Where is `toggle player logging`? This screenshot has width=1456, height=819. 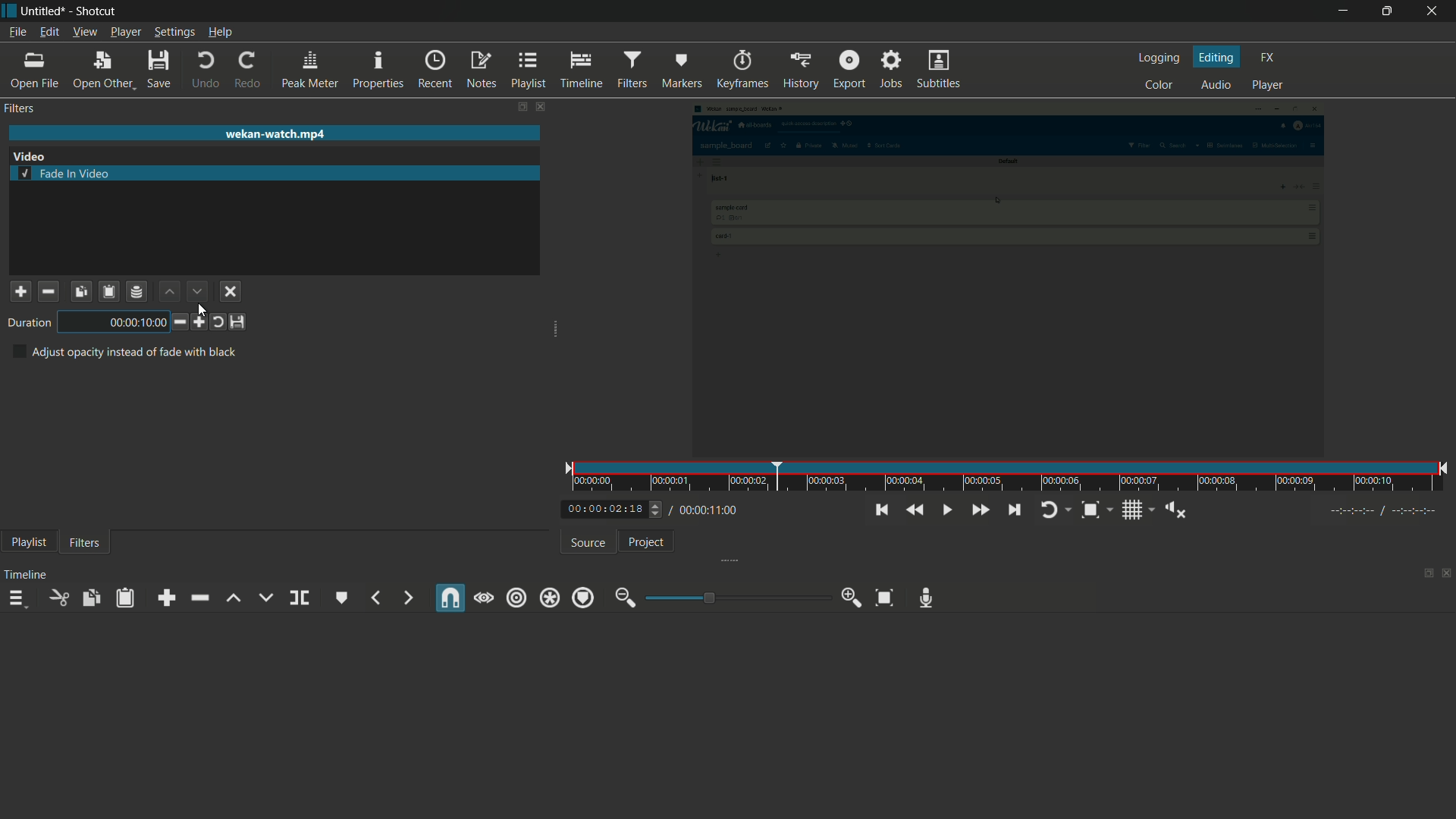 toggle player logging is located at coordinates (1052, 510).